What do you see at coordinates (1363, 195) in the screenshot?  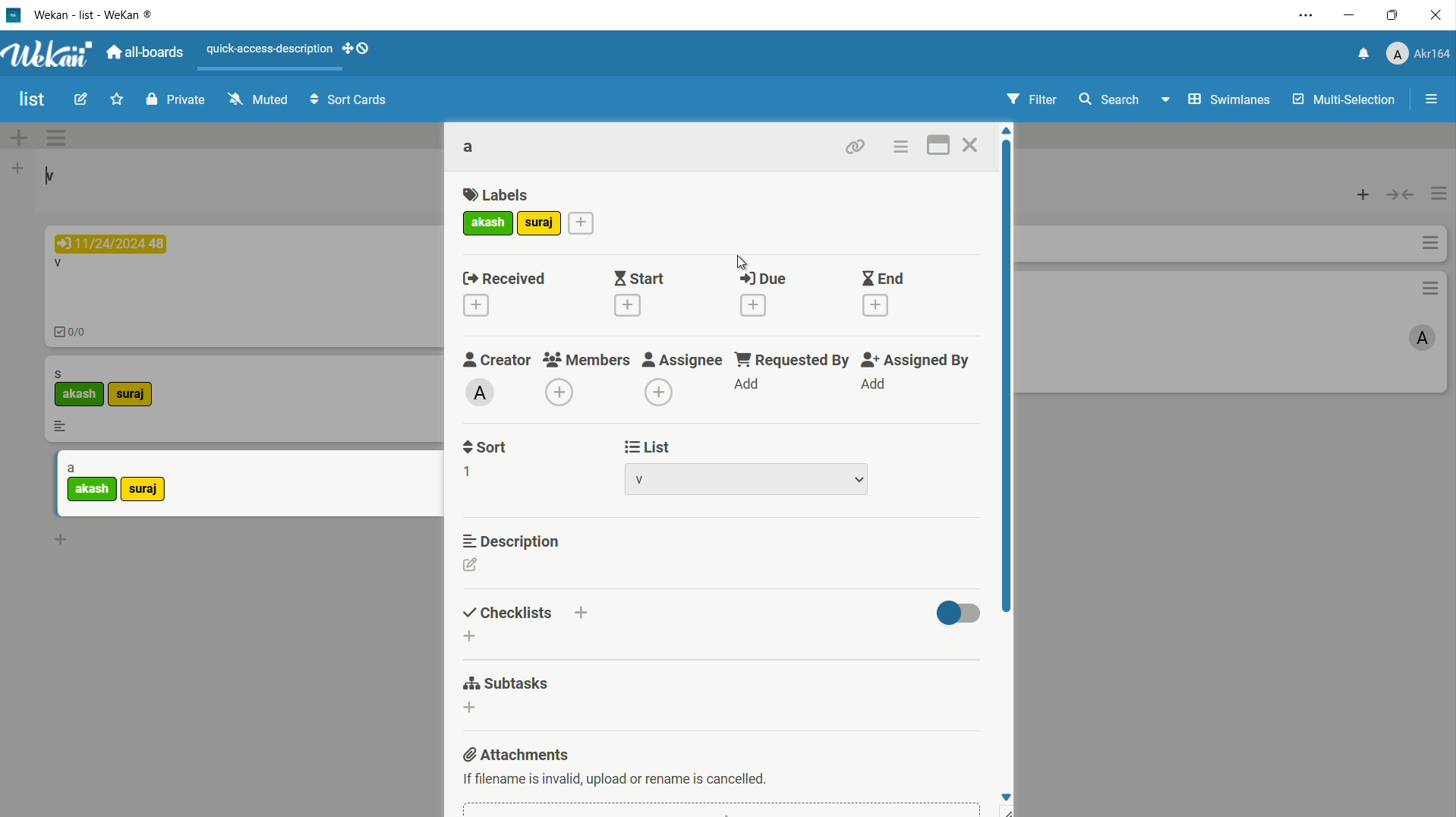 I see `add` at bounding box center [1363, 195].